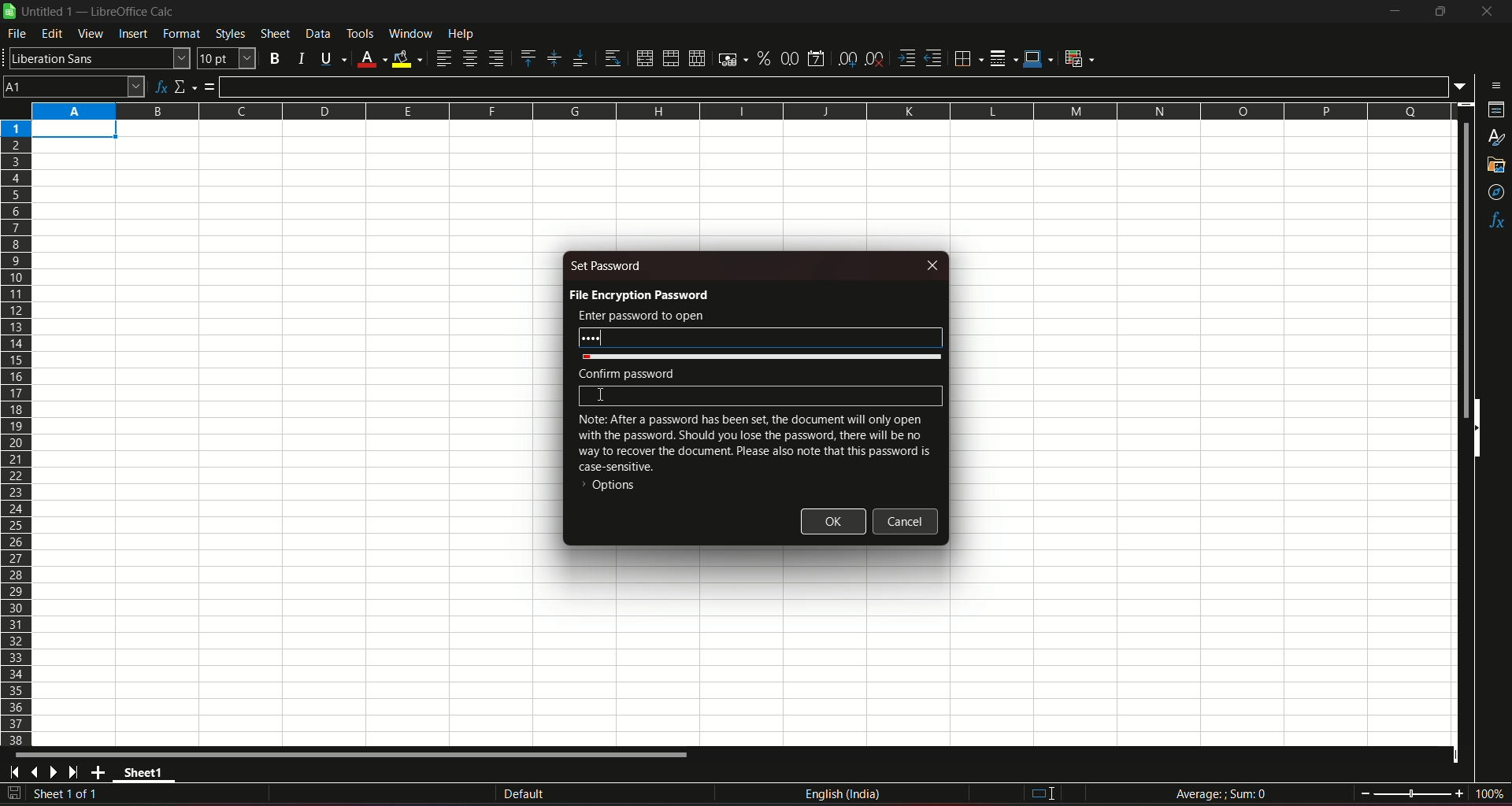 Image resolution: width=1512 pixels, height=806 pixels. I want to click on delete decimal point, so click(876, 58).